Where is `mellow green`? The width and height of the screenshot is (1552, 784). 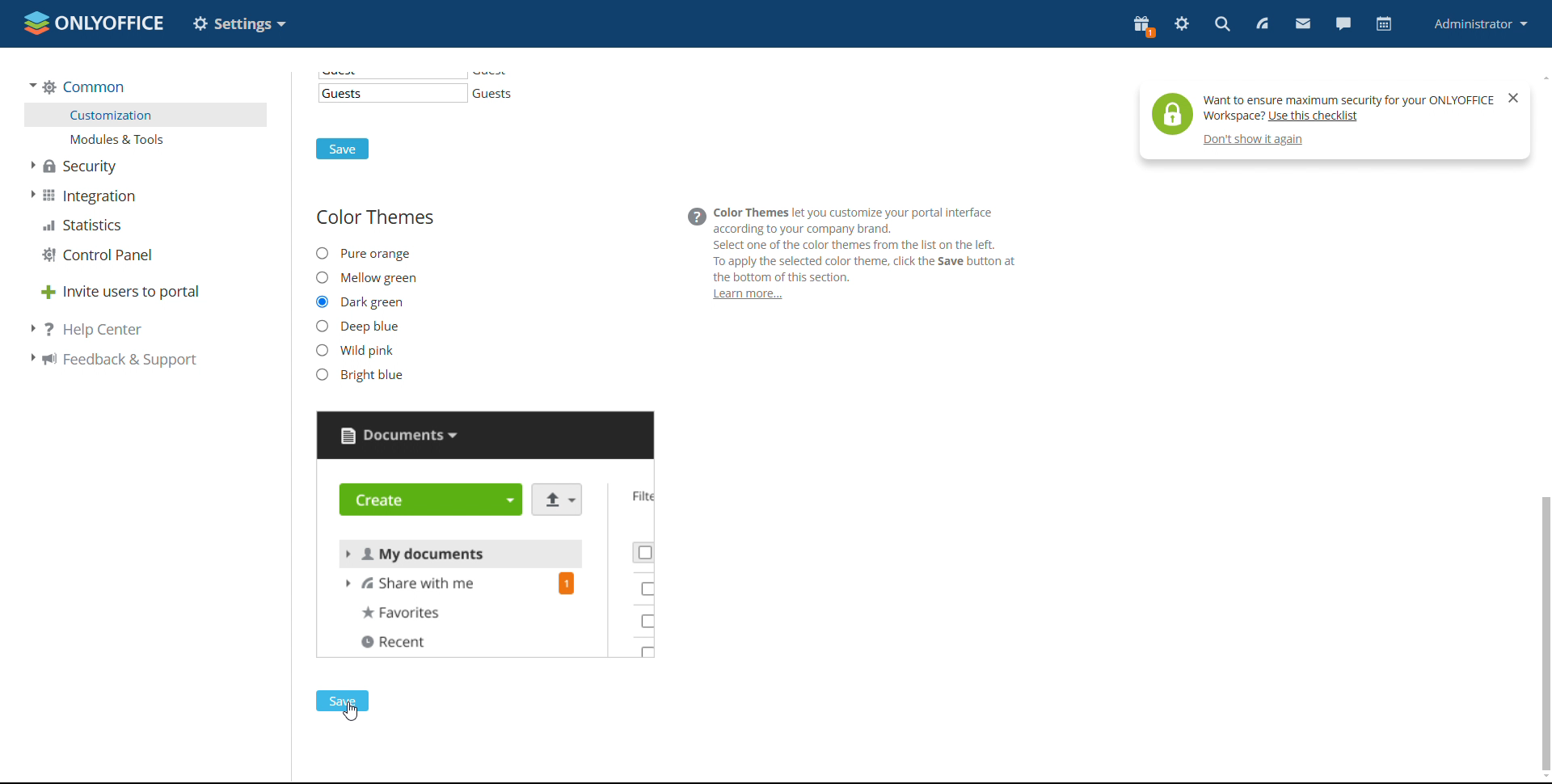
mellow green is located at coordinates (367, 278).